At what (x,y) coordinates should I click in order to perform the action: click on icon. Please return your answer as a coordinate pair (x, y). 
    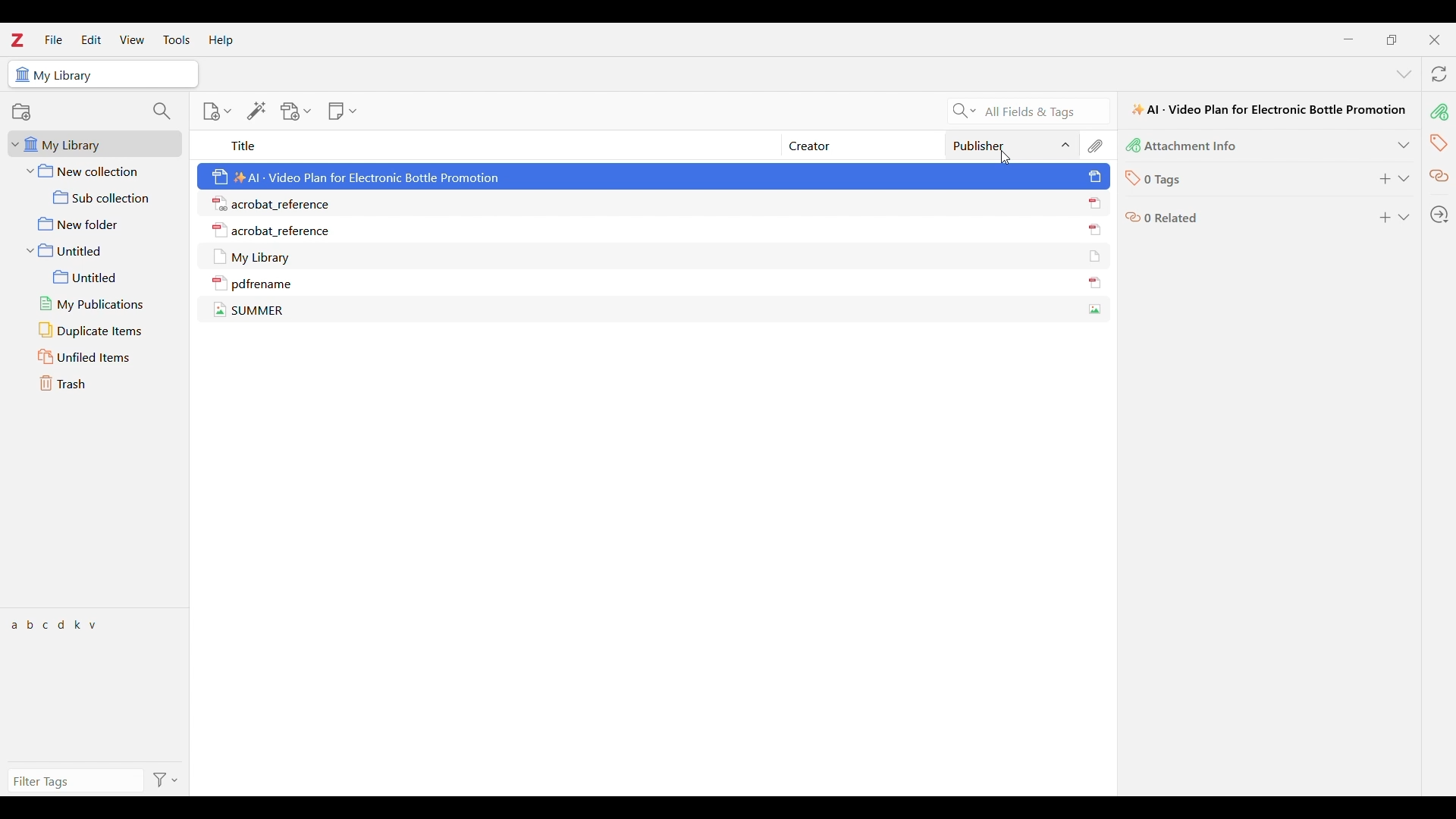
    Looking at the image, I should click on (1095, 311).